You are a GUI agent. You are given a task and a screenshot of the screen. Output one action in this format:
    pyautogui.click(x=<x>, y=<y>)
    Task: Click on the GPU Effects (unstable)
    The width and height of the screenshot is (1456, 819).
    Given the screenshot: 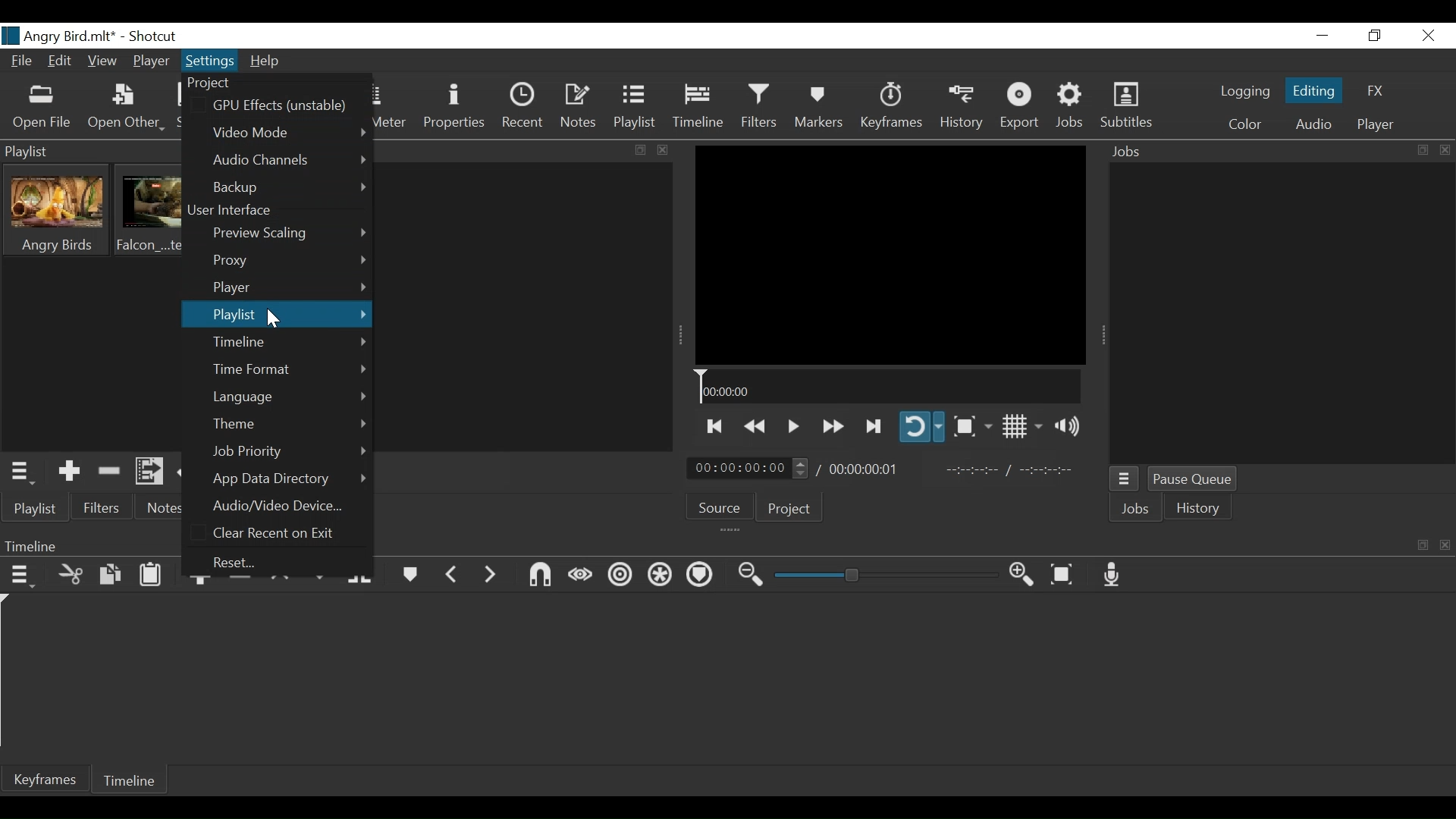 What is the action you would take?
    pyautogui.click(x=284, y=105)
    